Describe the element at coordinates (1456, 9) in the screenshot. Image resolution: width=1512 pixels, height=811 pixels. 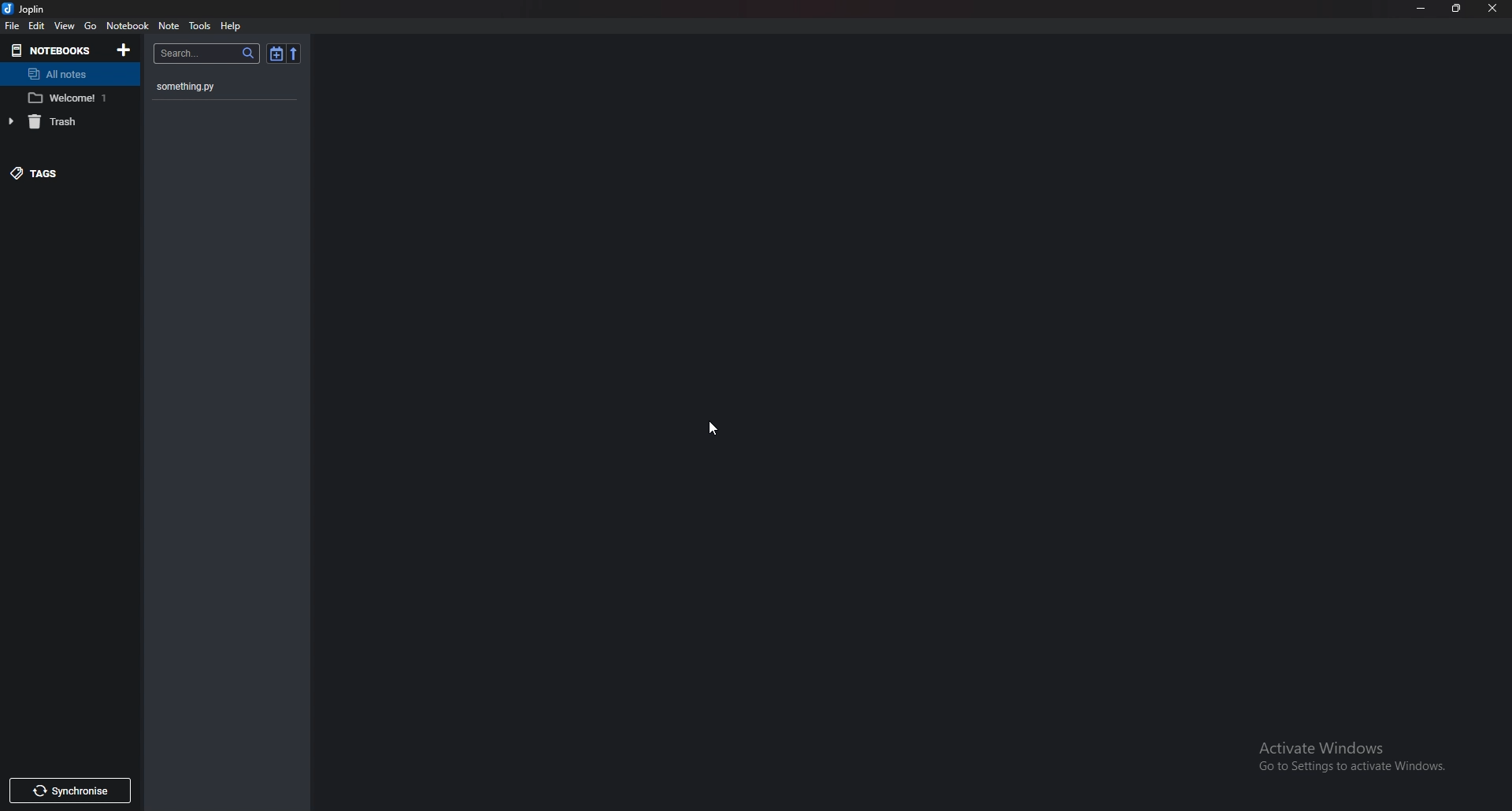
I see `Resize` at that location.